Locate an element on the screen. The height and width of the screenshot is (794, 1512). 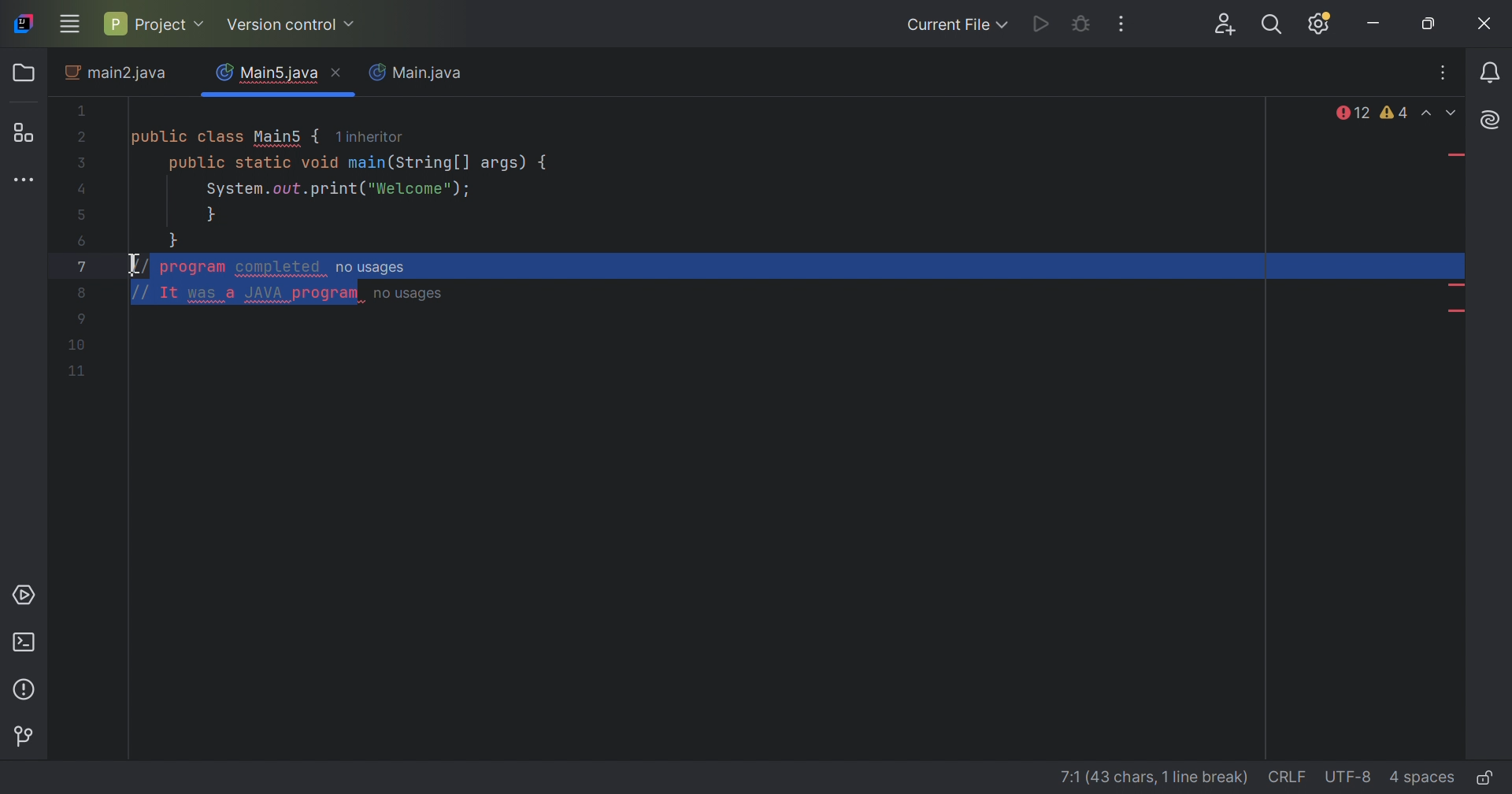
This java code defines a main class with a main method. IT prints "Welcome" to the console. is located at coordinates (312, 173).